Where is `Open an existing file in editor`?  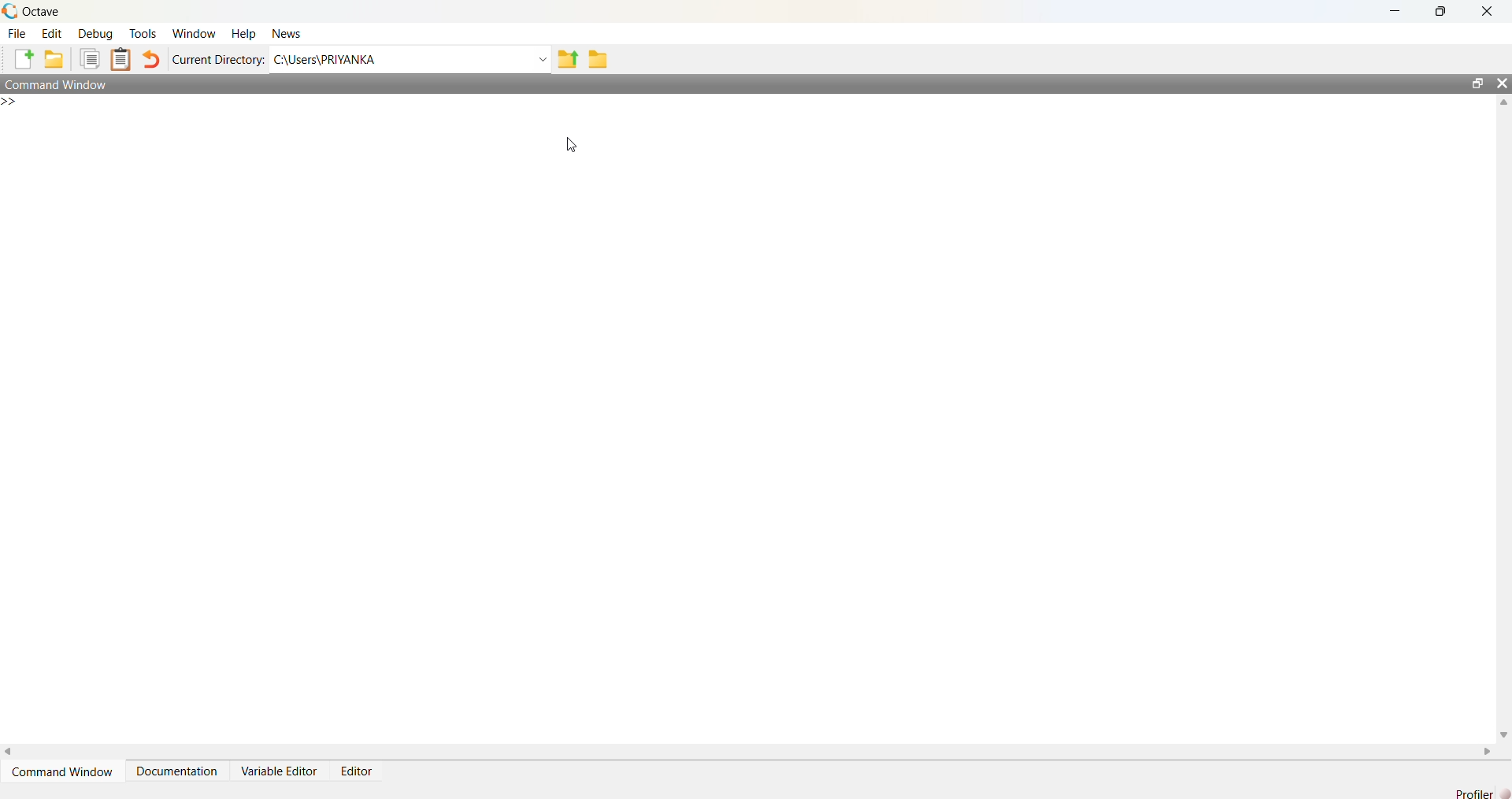
Open an existing file in editor is located at coordinates (53, 59).